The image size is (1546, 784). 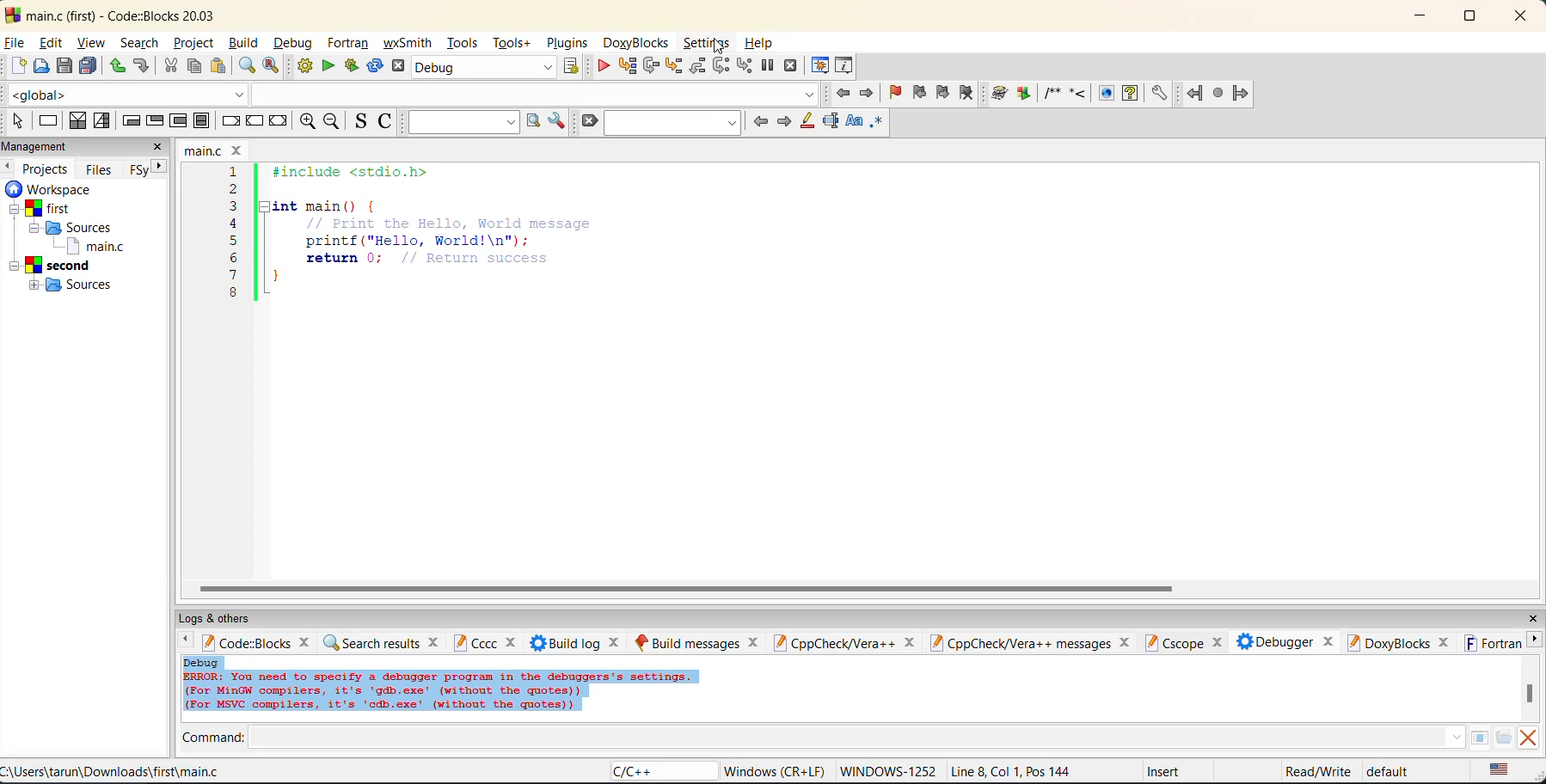 What do you see at coordinates (43, 67) in the screenshot?
I see `open` at bounding box center [43, 67].